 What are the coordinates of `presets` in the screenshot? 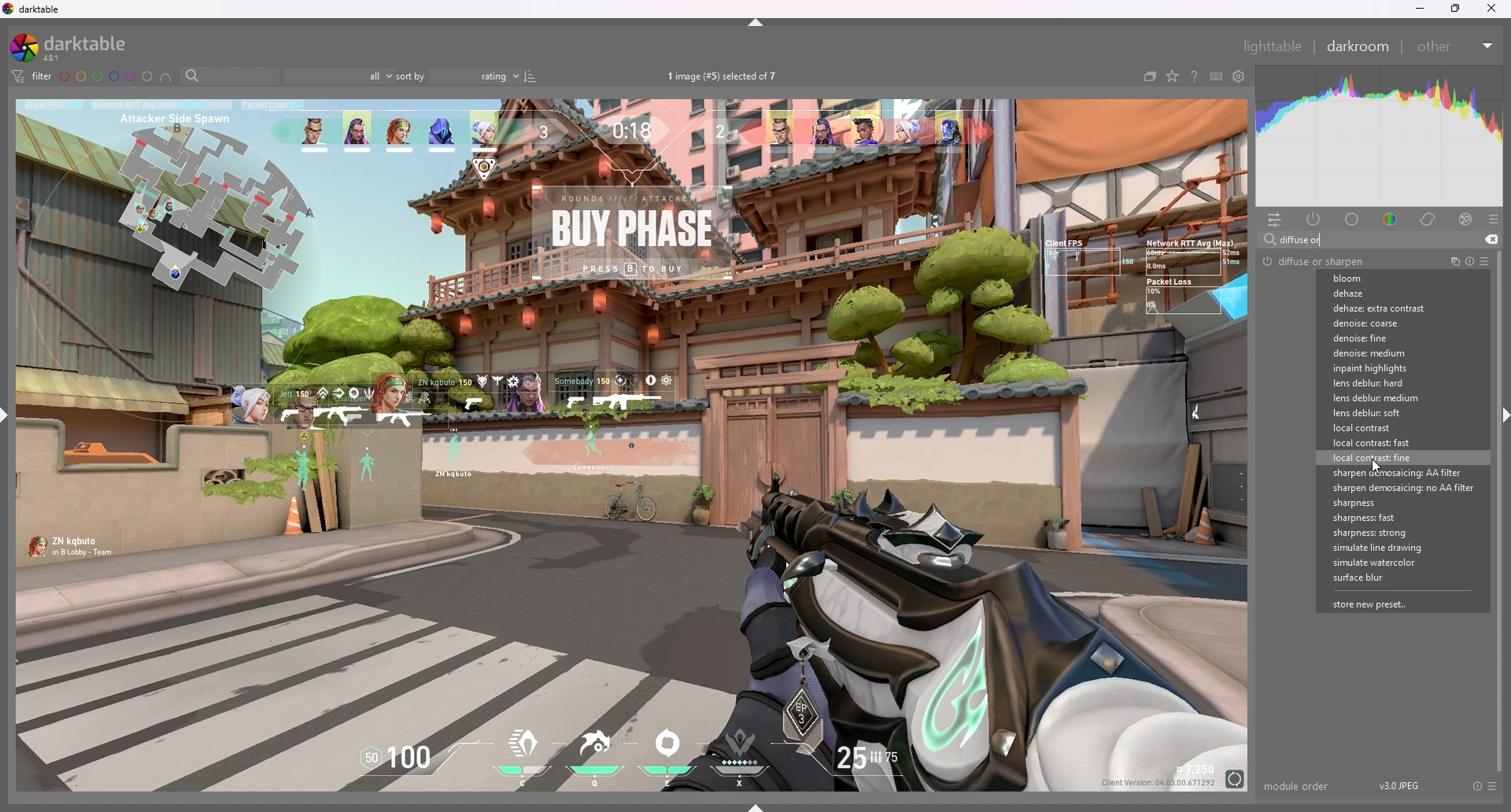 It's located at (1494, 220).